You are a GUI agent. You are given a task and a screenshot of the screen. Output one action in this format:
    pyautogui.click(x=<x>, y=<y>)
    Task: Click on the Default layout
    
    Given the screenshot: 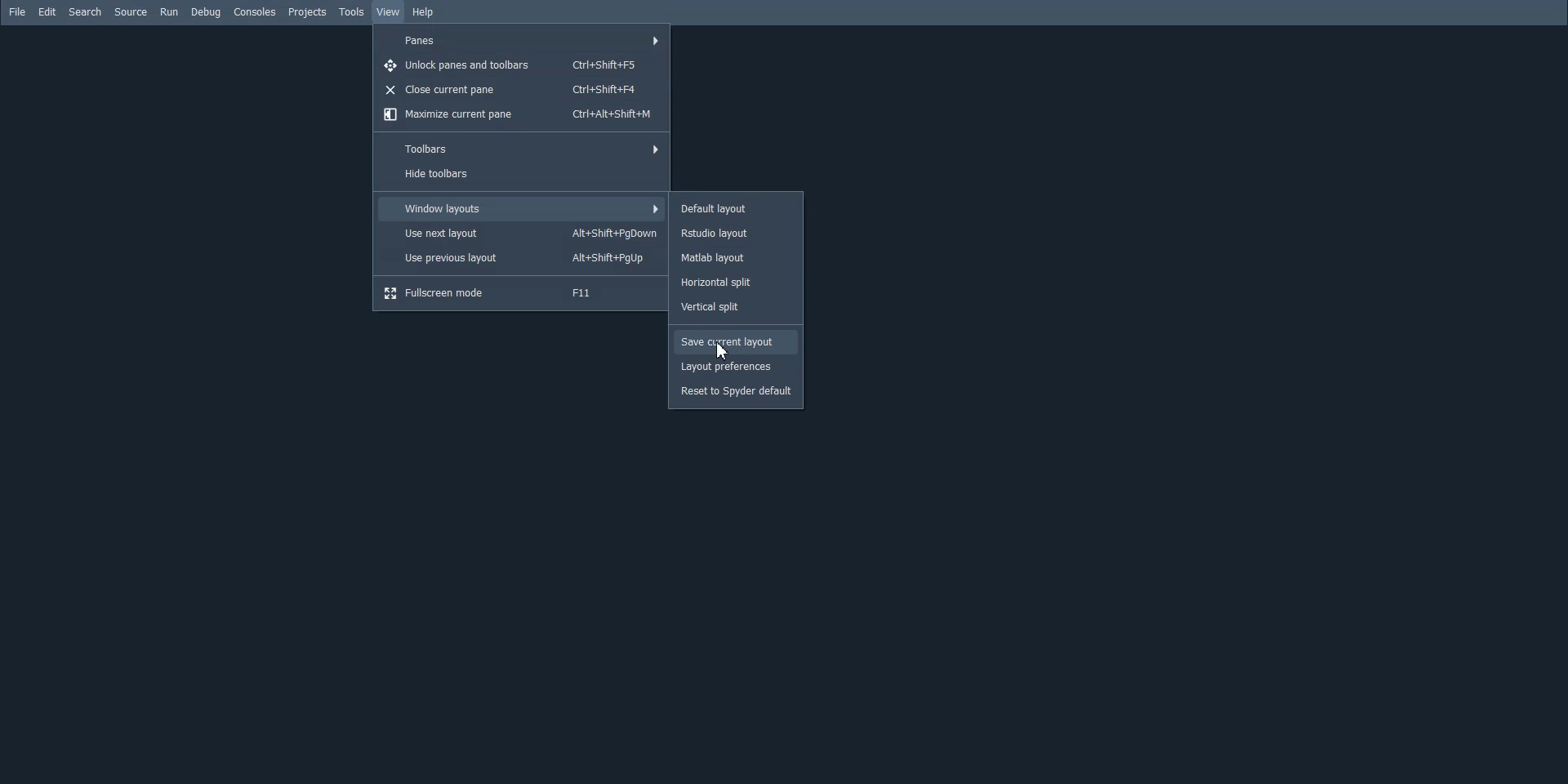 What is the action you would take?
    pyautogui.click(x=736, y=208)
    